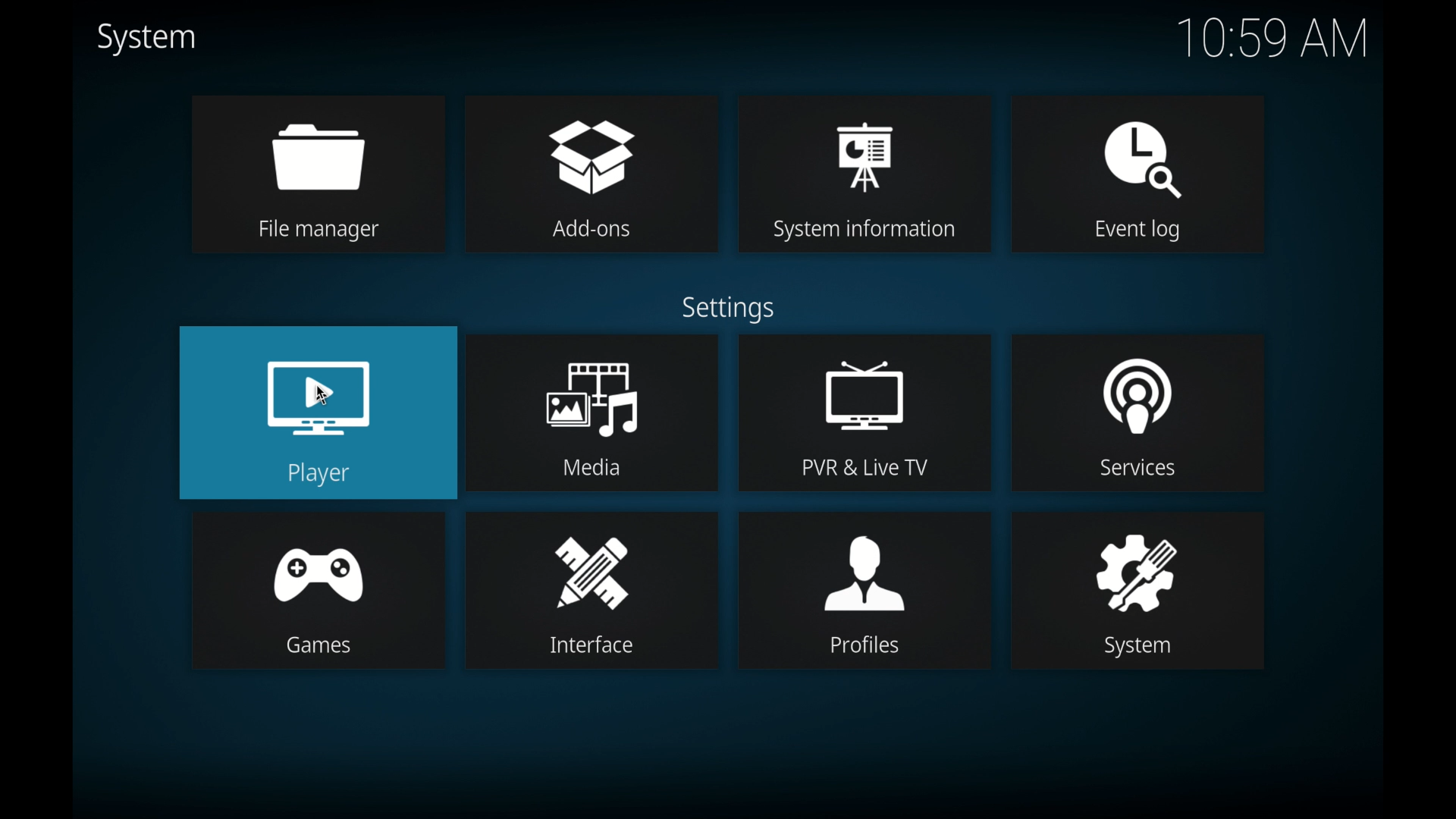 This screenshot has width=1456, height=819. I want to click on cursor, so click(322, 394).